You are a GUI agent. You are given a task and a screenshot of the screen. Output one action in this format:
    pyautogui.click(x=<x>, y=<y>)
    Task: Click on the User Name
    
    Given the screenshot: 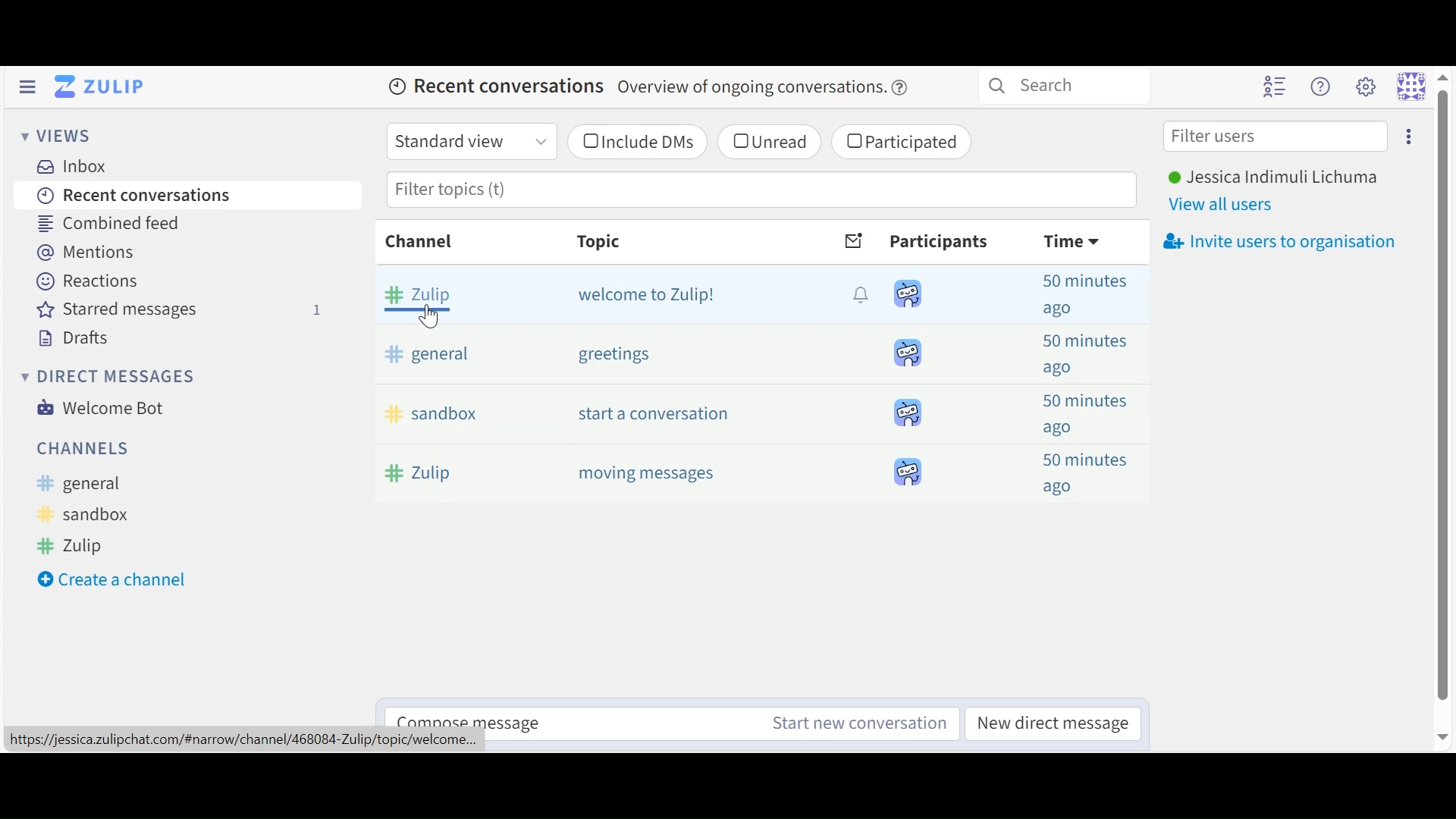 What is the action you would take?
    pyautogui.click(x=1277, y=176)
    